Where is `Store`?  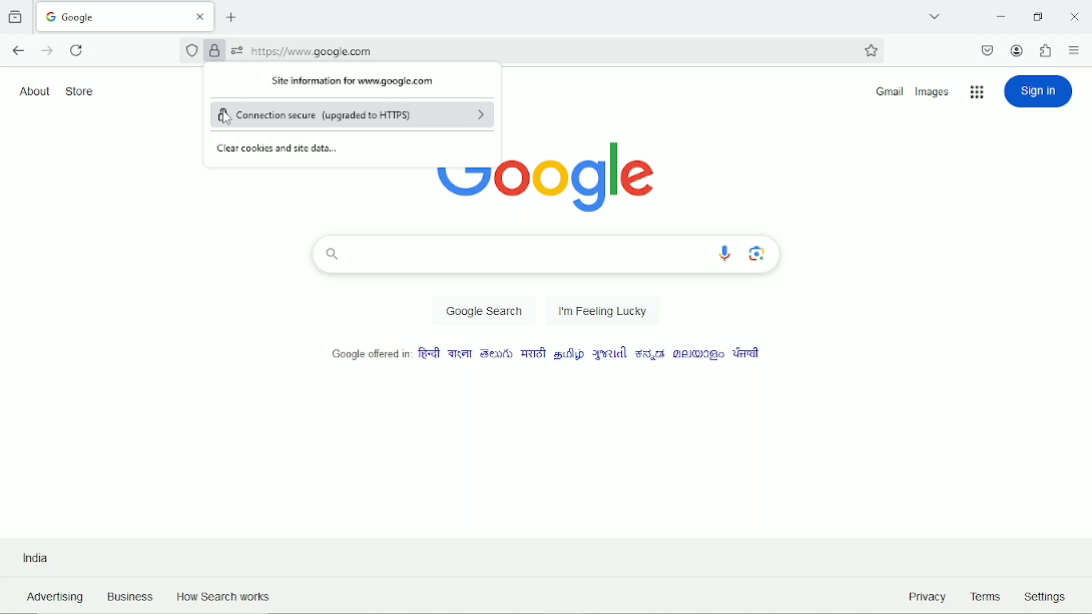 Store is located at coordinates (85, 90).